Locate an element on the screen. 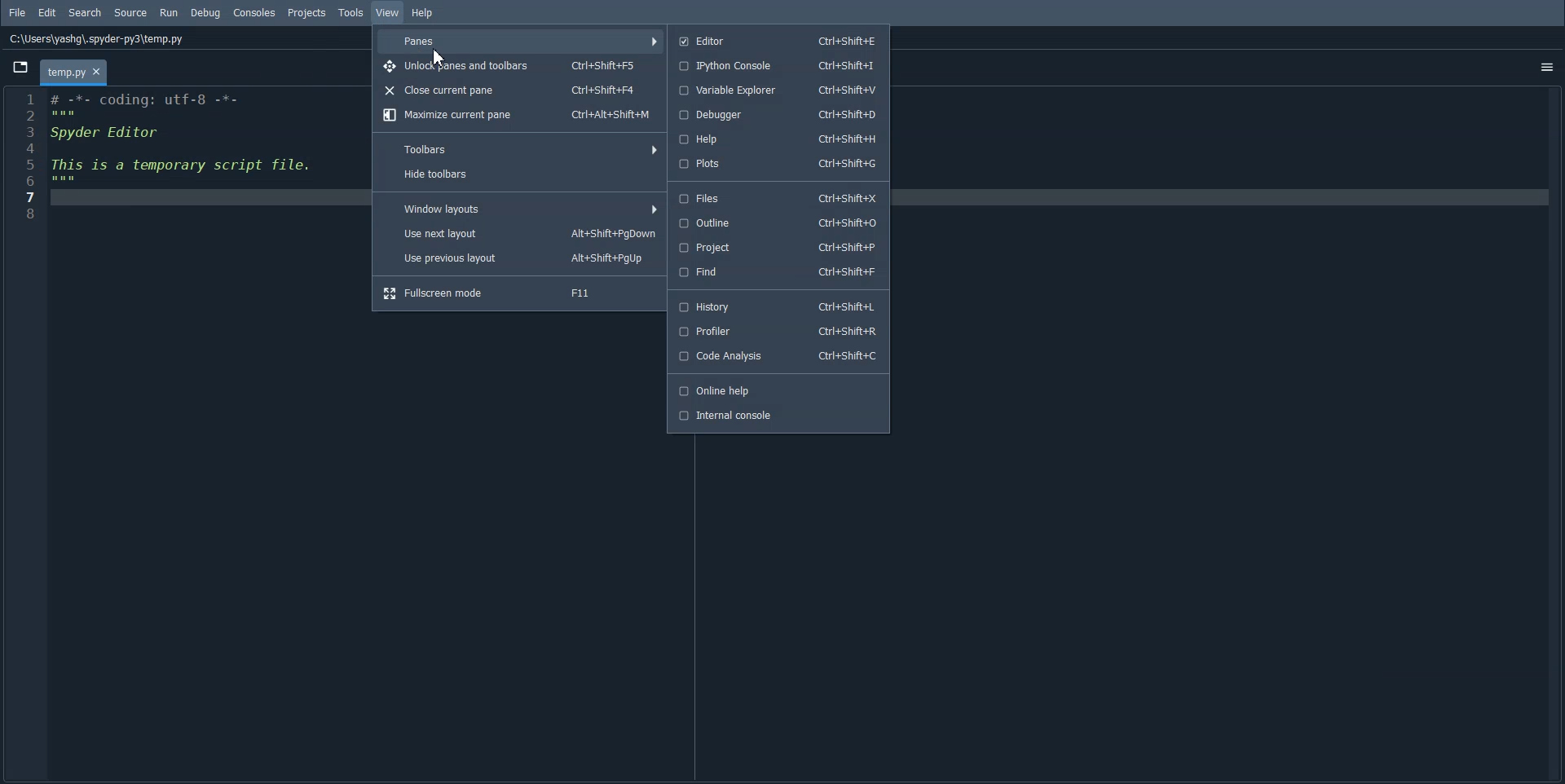  Run is located at coordinates (170, 11).